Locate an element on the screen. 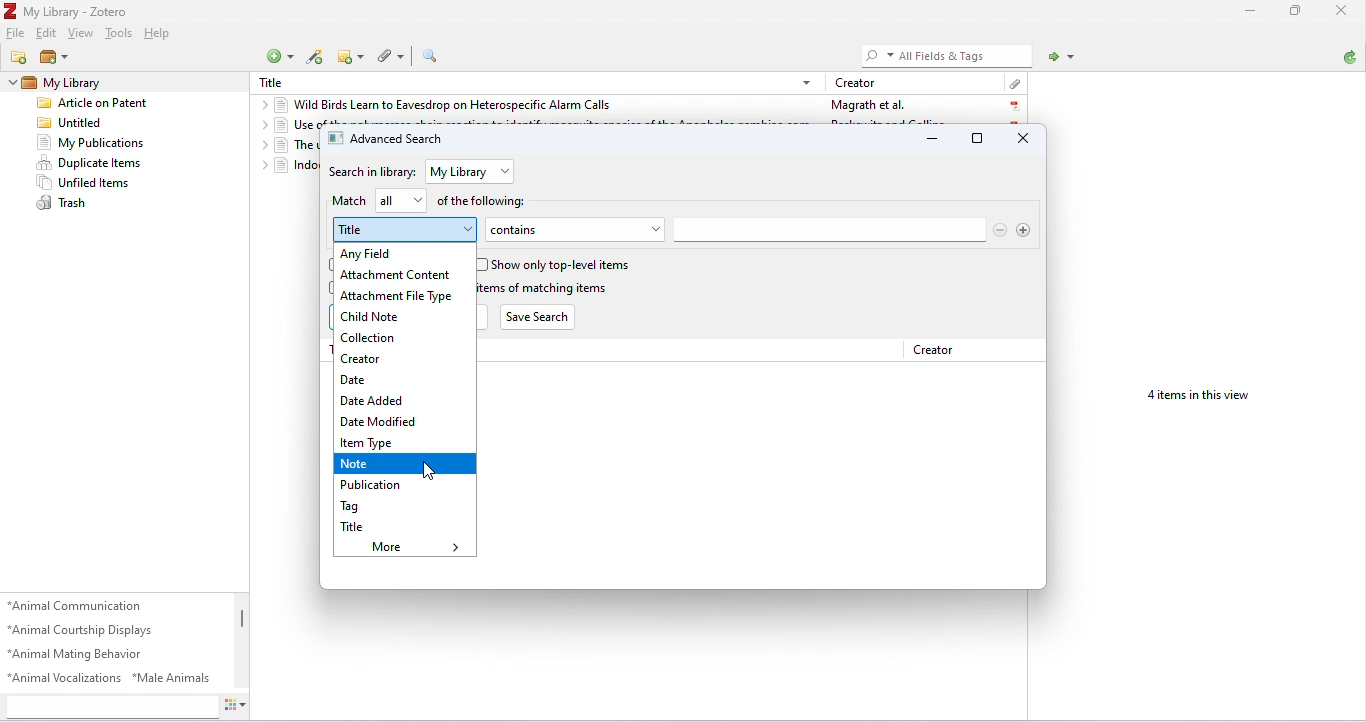  drop-down is located at coordinates (808, 83).